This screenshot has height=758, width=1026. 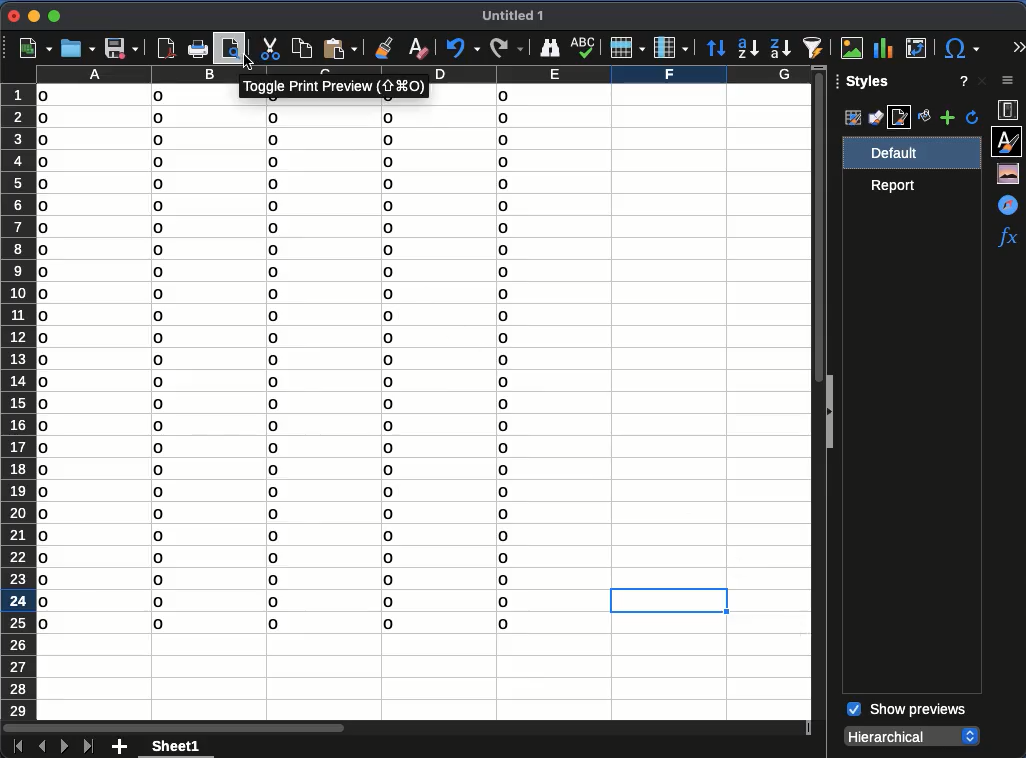 What do you see at coordinates (901, 119) in the screenshot?
I see `page style` at bounding box center [901, 119].